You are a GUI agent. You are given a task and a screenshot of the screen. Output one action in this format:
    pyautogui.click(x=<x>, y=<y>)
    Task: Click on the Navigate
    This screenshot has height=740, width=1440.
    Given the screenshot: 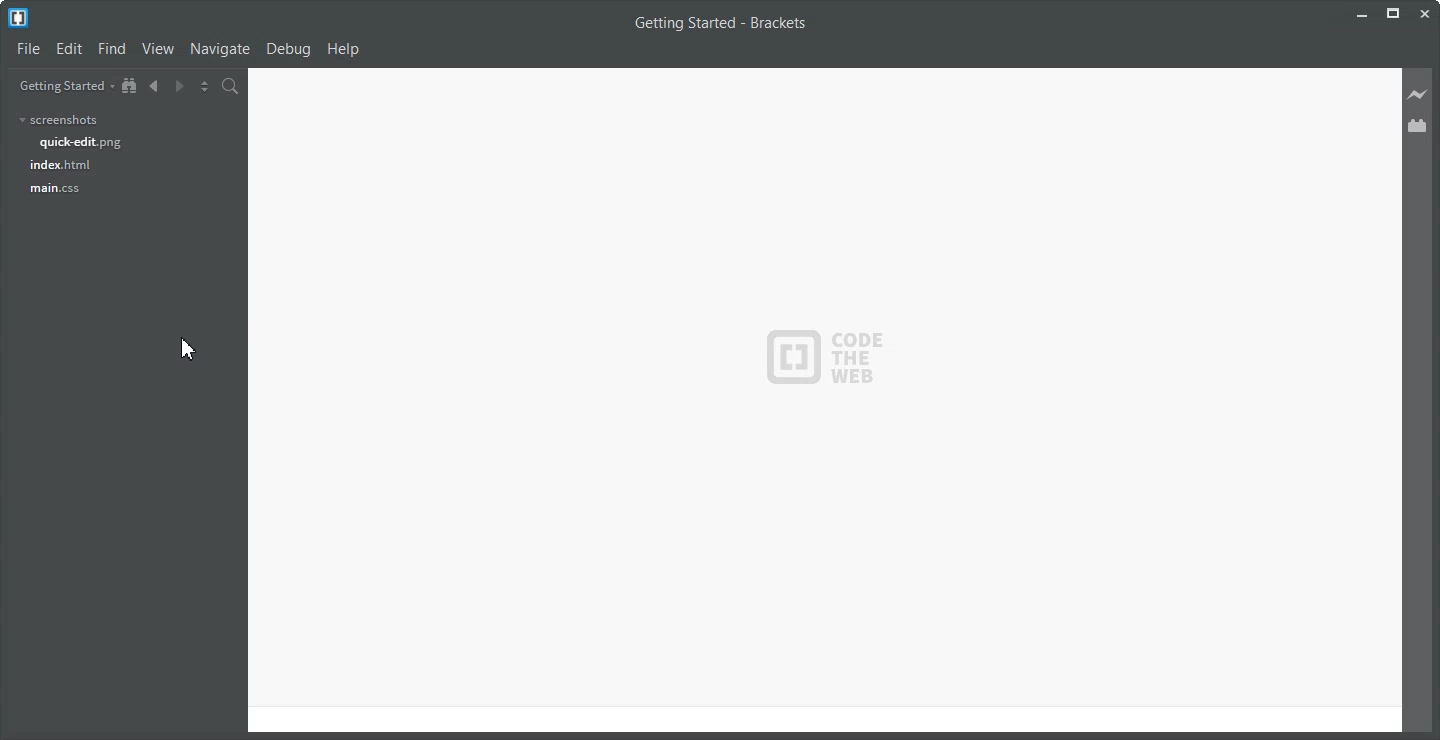 What is the action you would take?
    pyautogui.click(x=221, y=50)
    